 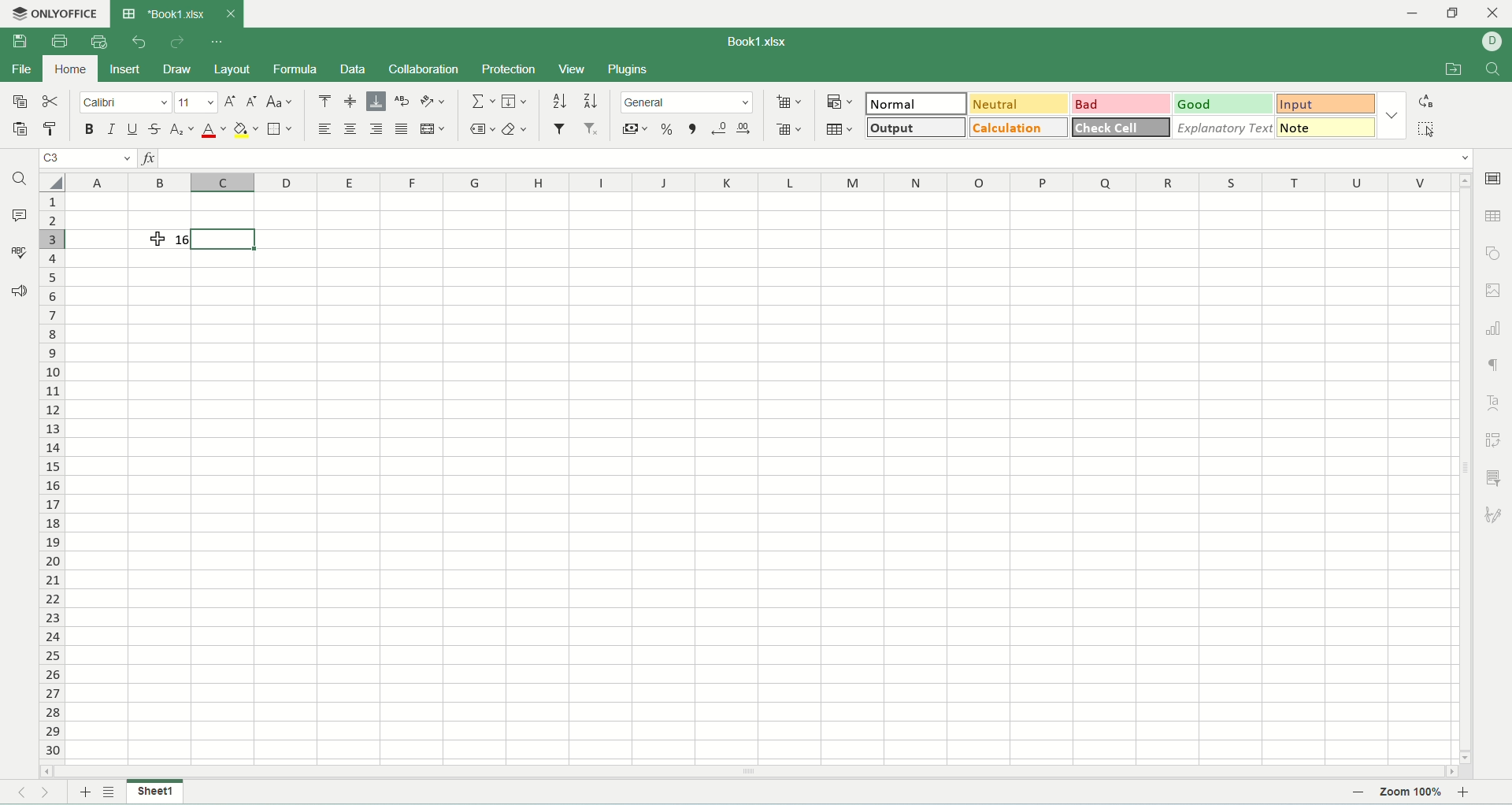 I want to click on table setting, so click(x=1495, y=215).